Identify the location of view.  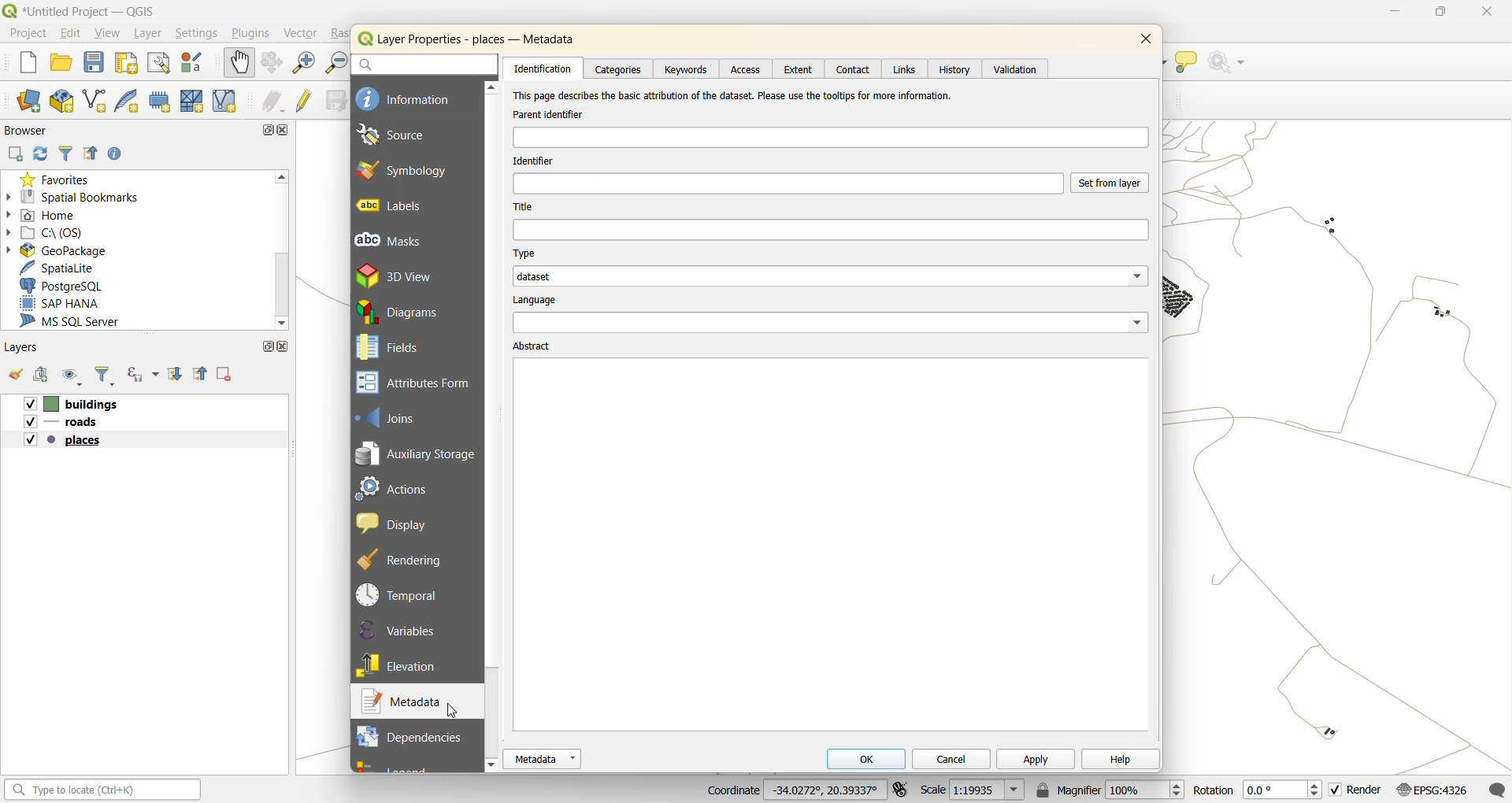
(109, 35).